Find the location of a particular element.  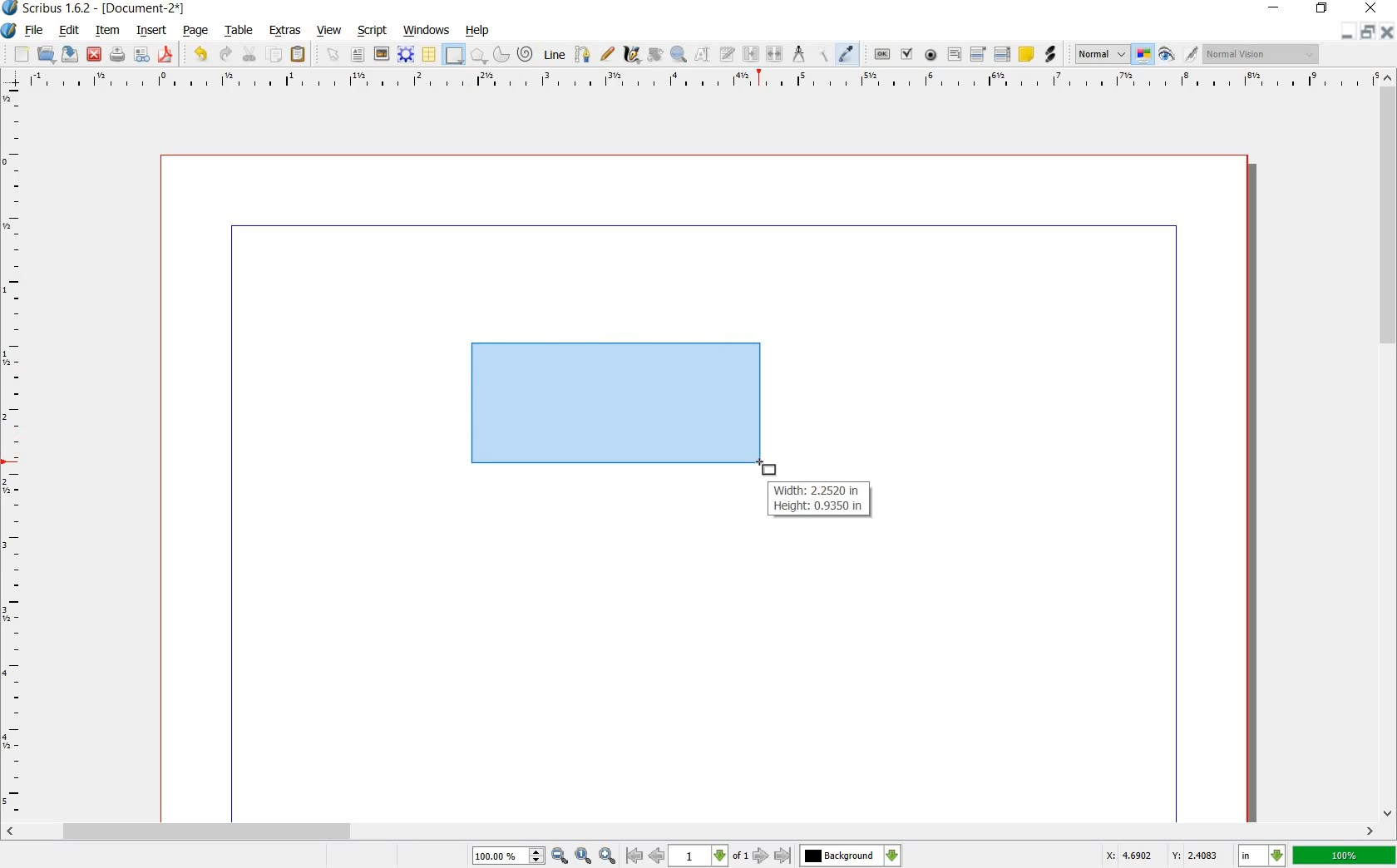

ROTATE ITEM is located at coordinates (656, 52).